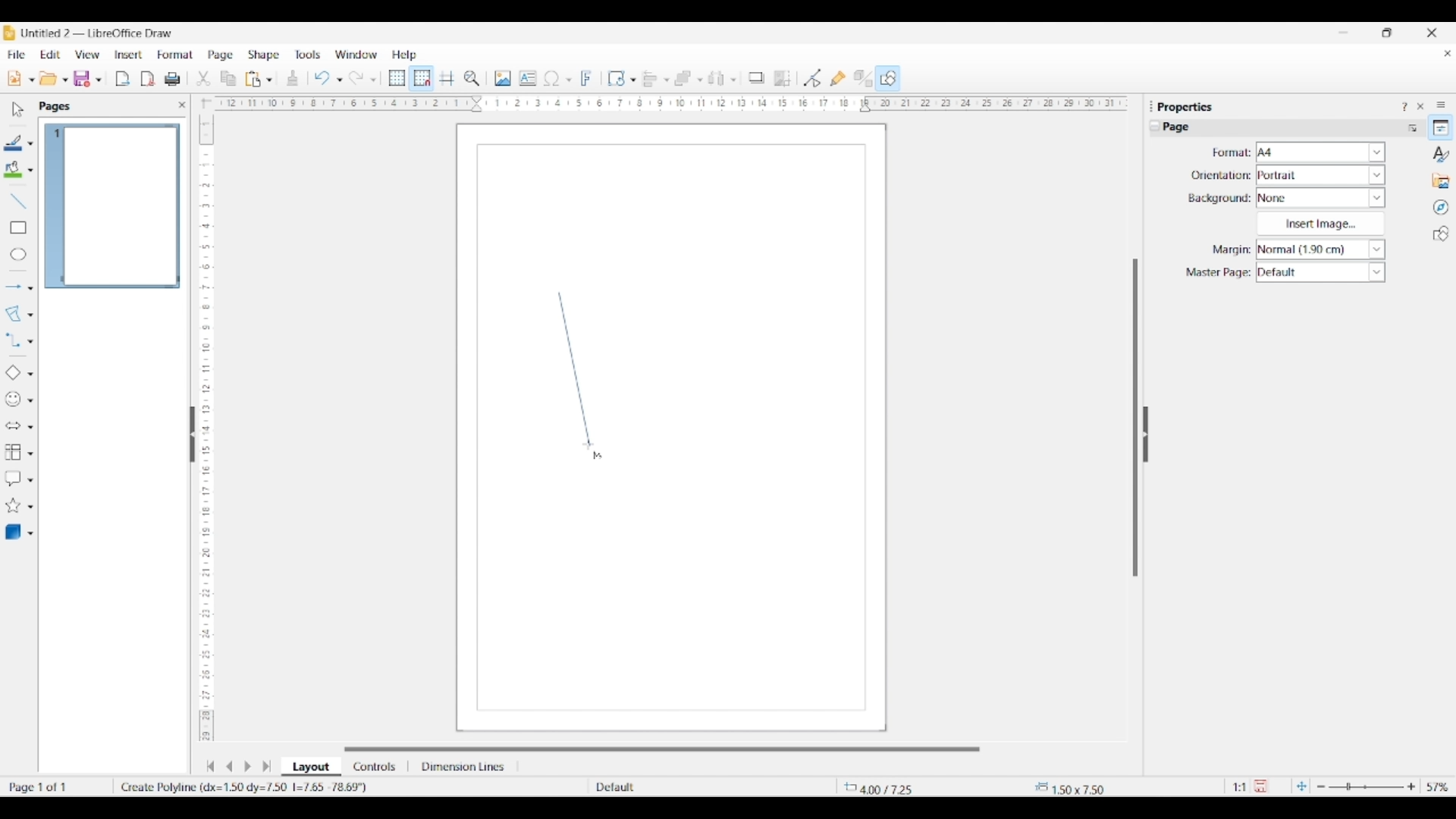  Describe the element at coordinates (837, 78) in the screenshot. I see `Show gluepoint options` at that location.